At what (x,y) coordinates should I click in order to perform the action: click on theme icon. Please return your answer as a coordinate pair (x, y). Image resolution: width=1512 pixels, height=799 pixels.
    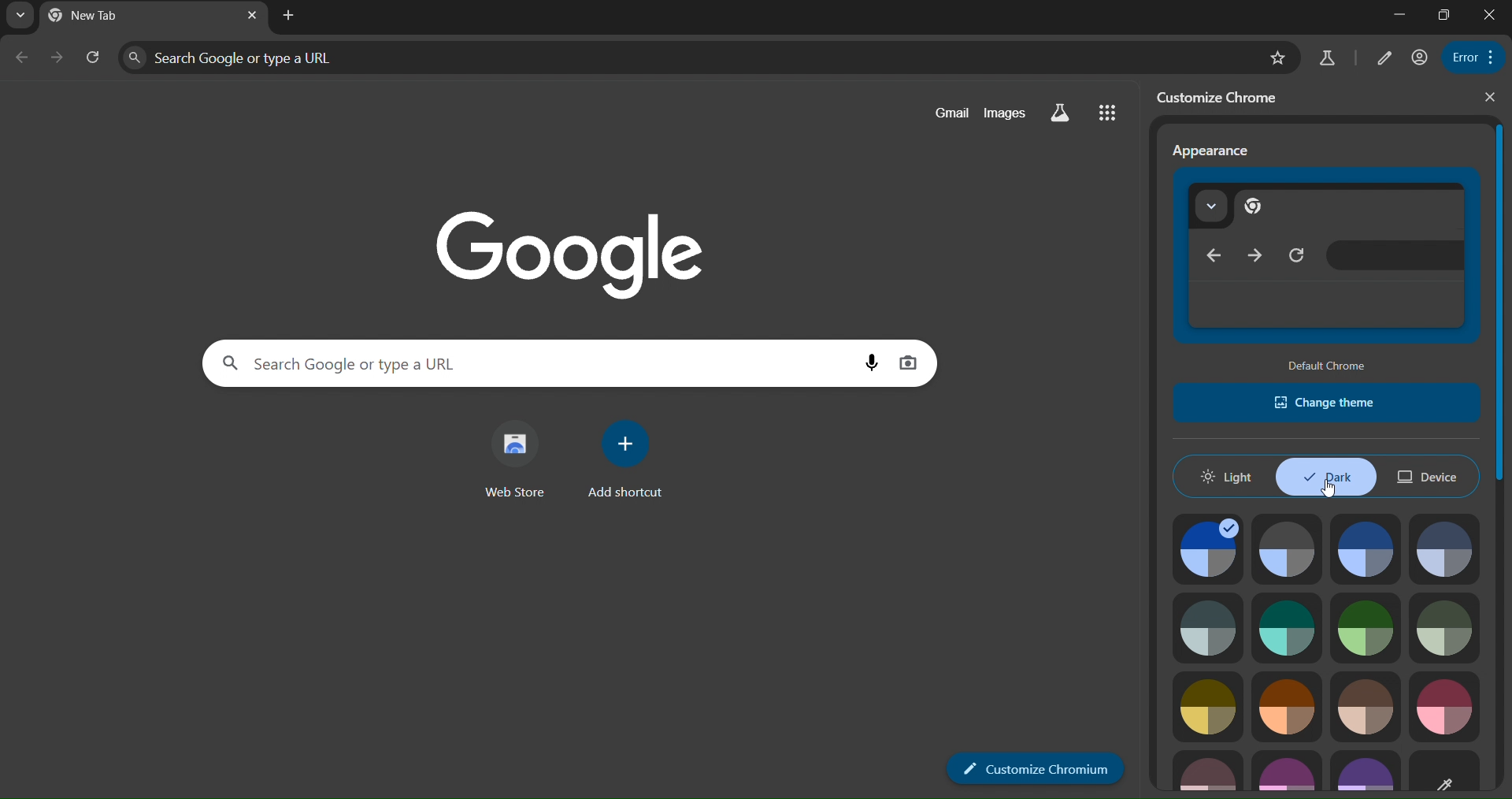
    Looking at the image, I should click on (1369, 548).